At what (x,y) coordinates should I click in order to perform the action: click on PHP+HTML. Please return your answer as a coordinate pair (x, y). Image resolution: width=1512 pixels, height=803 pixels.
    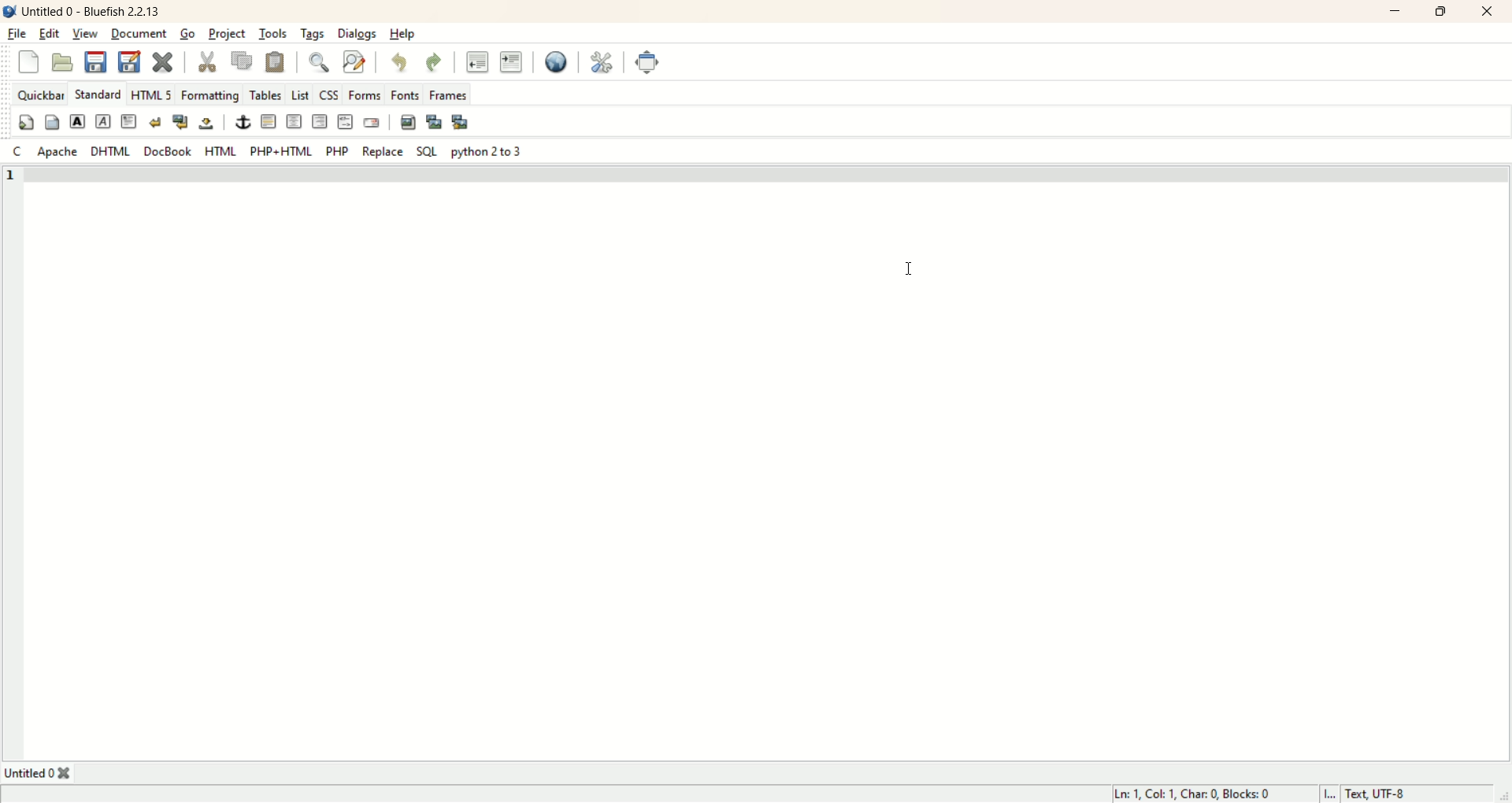
    Looking at the image, I should click on (281, 151).